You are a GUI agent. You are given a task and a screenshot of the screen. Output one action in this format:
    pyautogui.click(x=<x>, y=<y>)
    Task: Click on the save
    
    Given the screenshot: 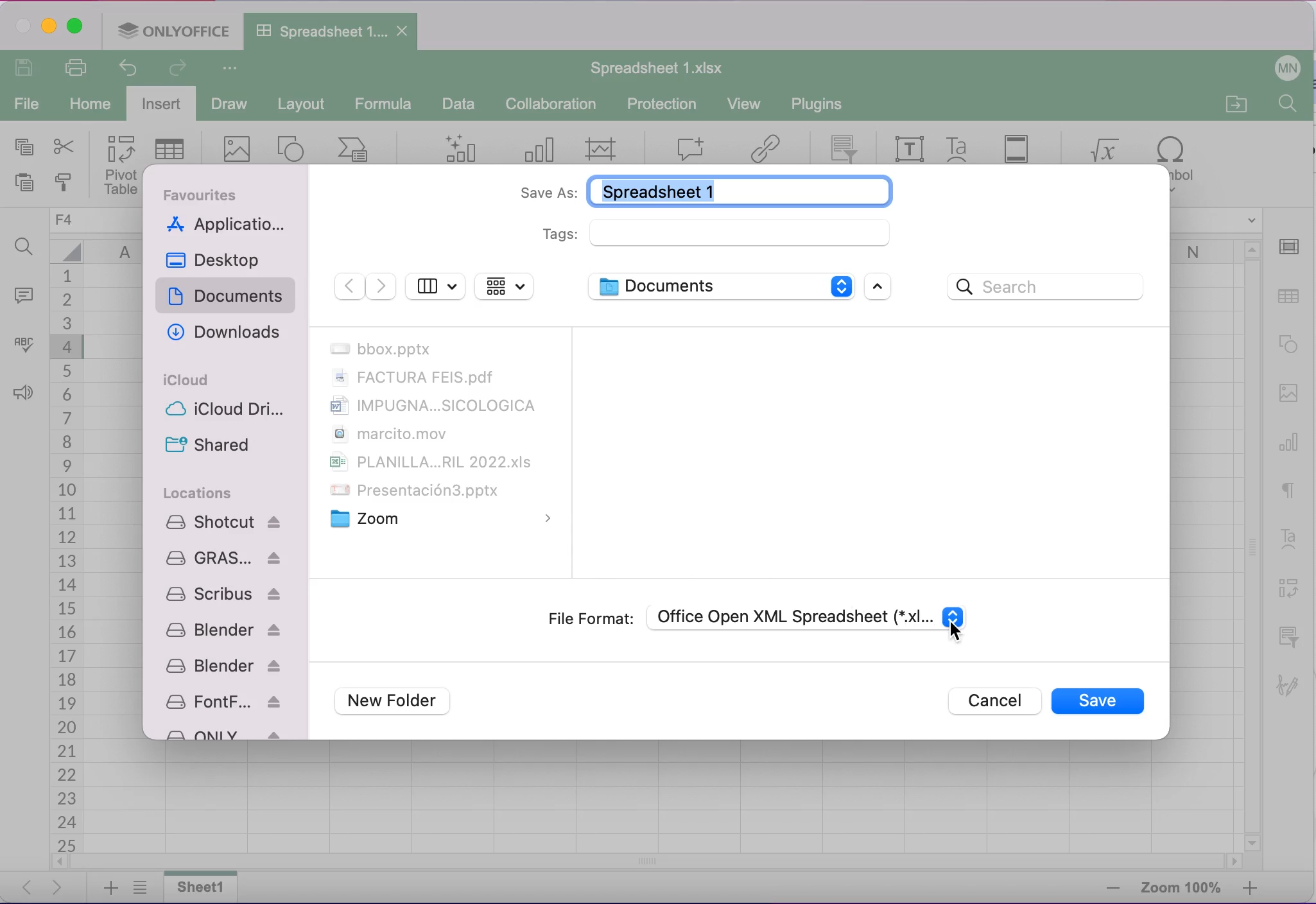 What is the action you would take?
    pyautogui.click(x=1097, y=701)
    